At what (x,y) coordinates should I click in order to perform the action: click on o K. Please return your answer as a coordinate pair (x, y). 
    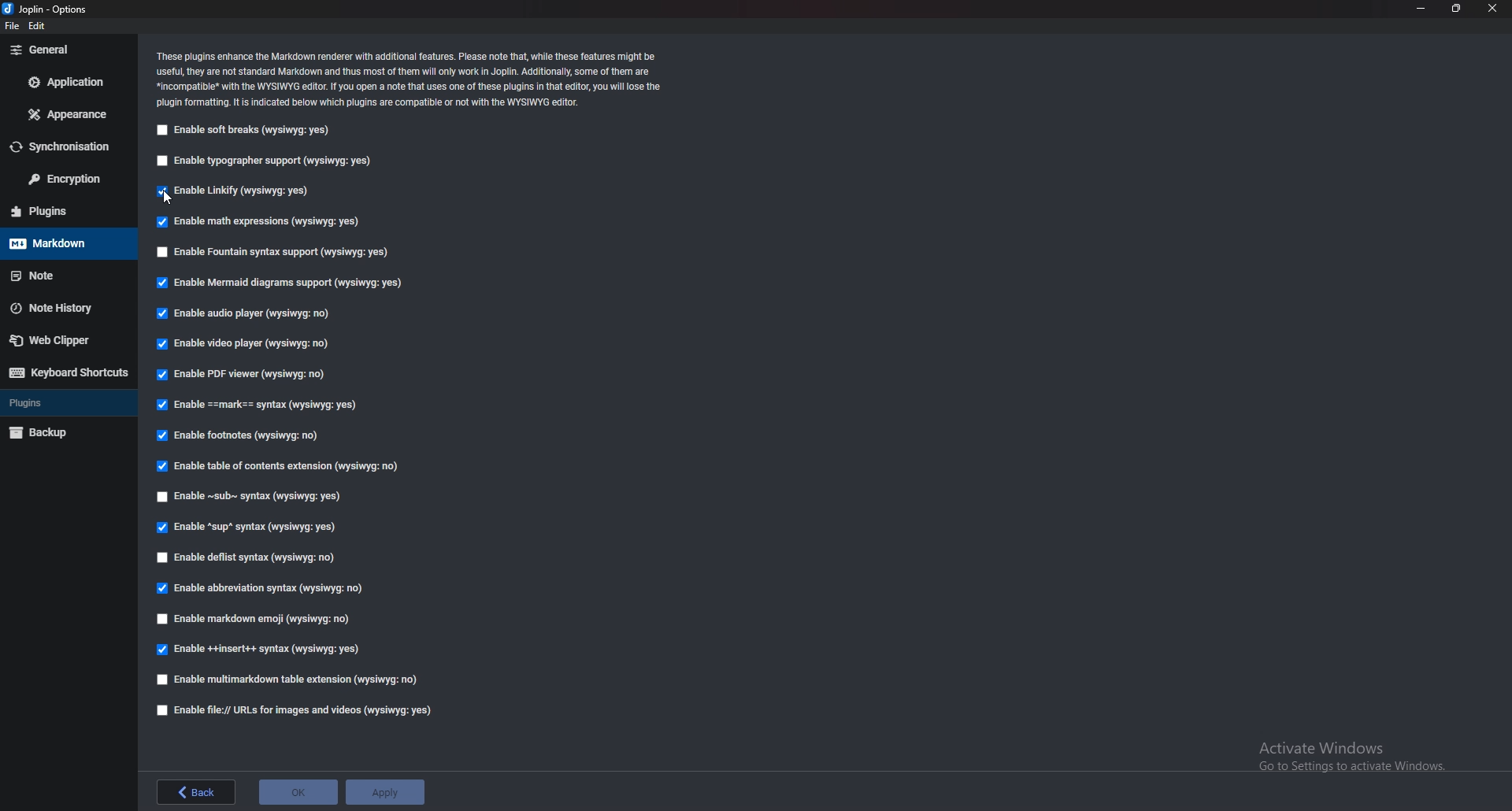
    Looking at the image, I should click on (299, 791).